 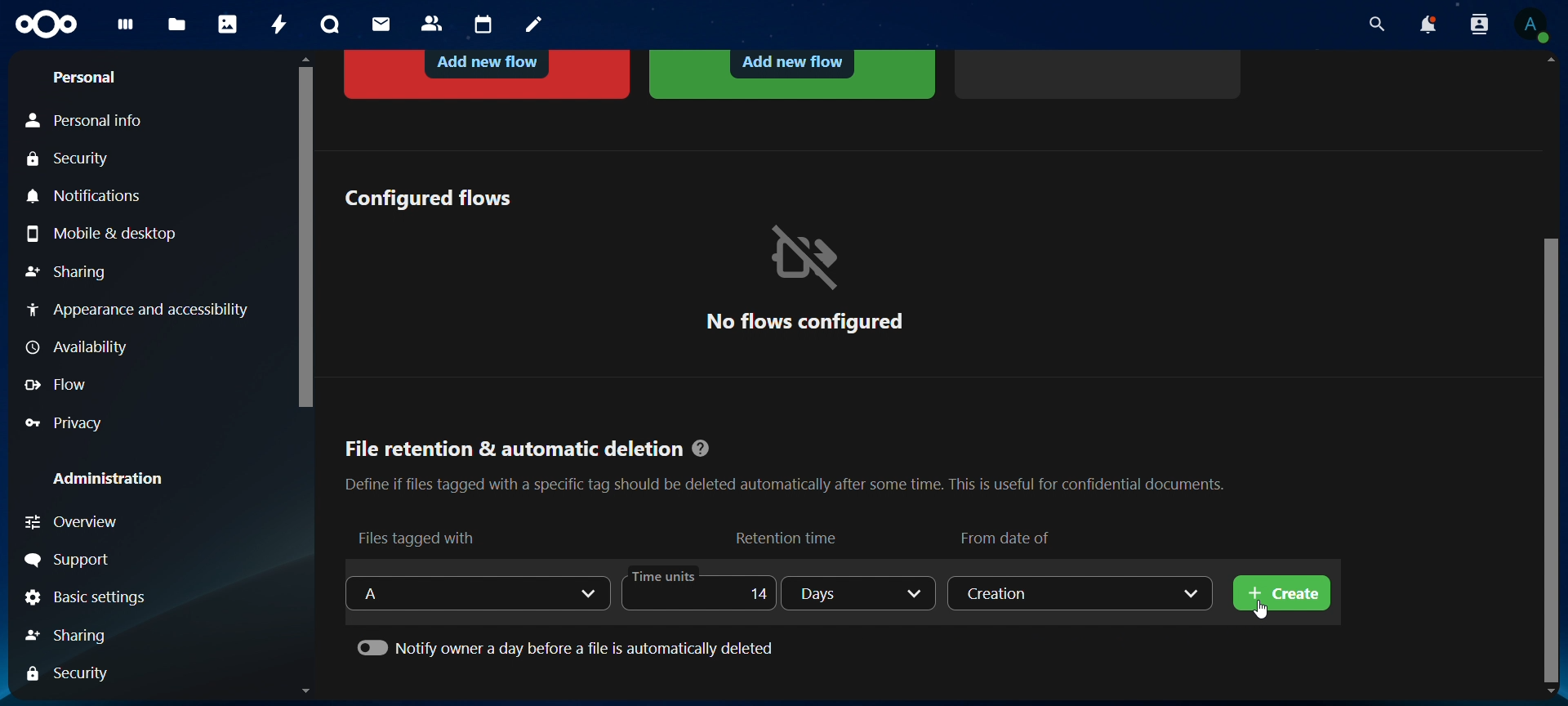 What do you see at coordinates (784, 460) in the screenshot?
I see `File retention & automatic deletion @
Define if files tagged with a specific tag should be deleted automatically after some time. This is useful for confidential documents.` at bounding box center [784, 460].